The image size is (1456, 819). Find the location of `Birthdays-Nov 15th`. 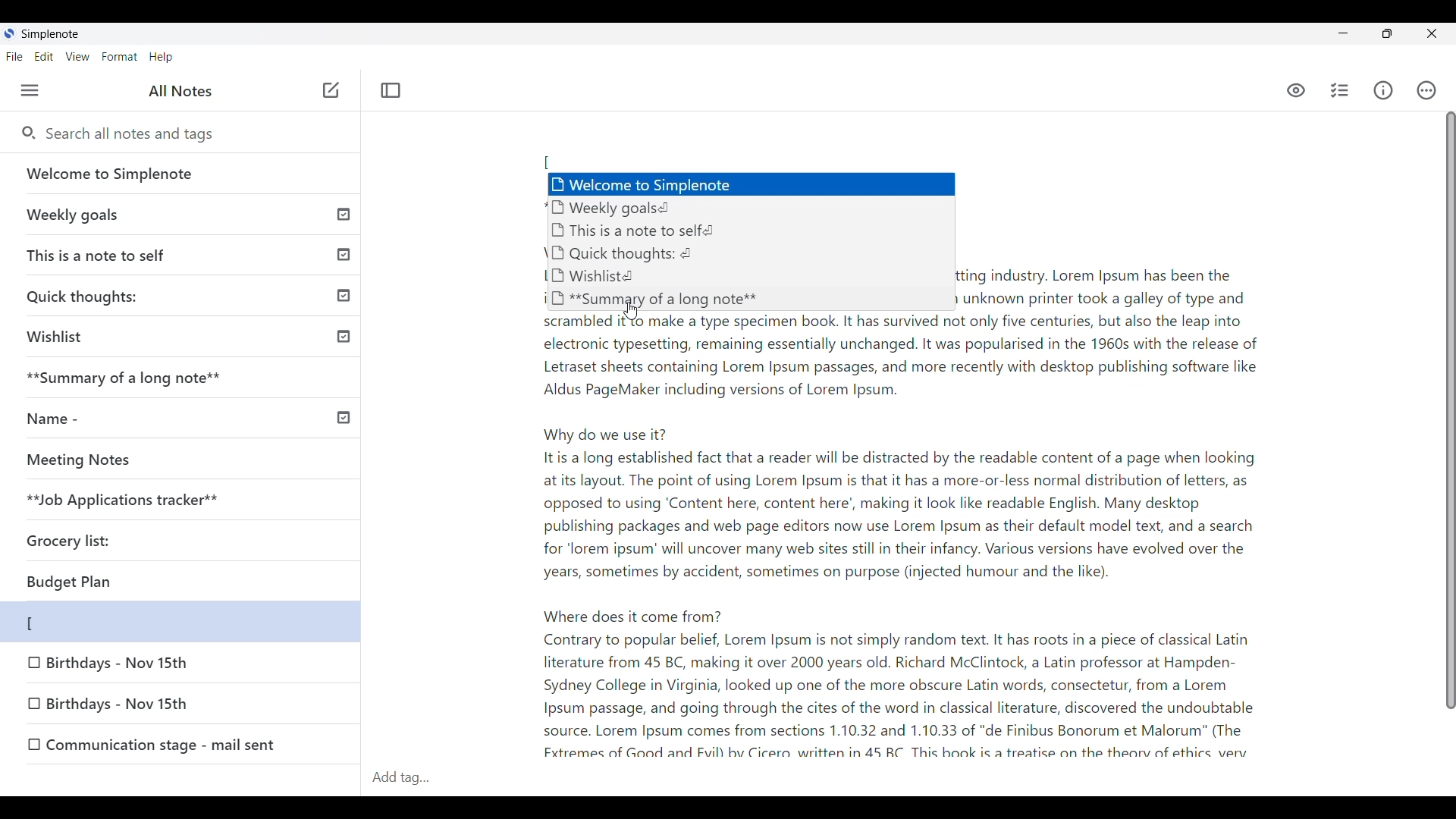

Birthdays-Nov 15th is located at coordinates (121, 664).